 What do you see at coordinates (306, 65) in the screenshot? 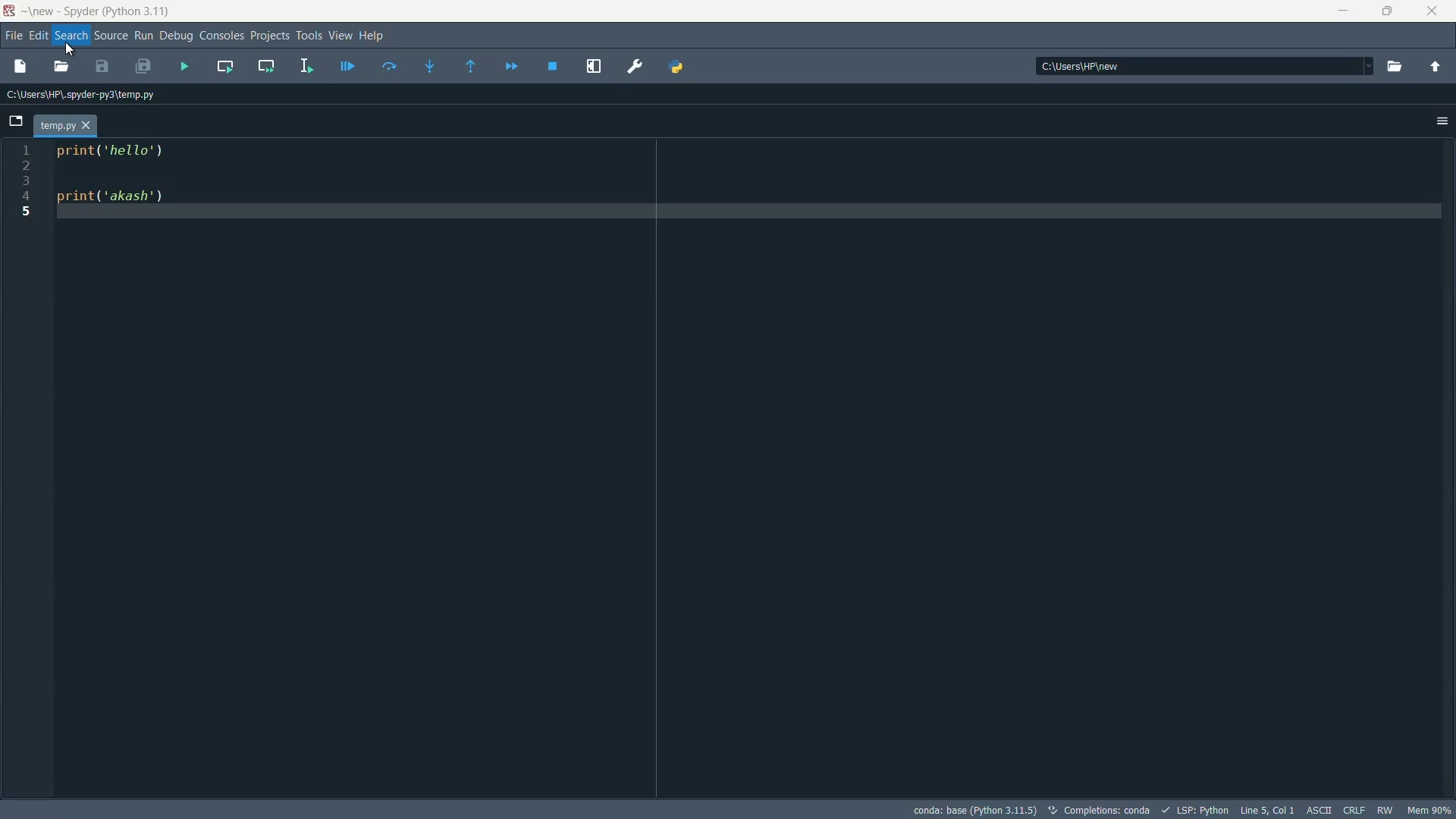
I see `run selection` at bounding box center [306, 65].